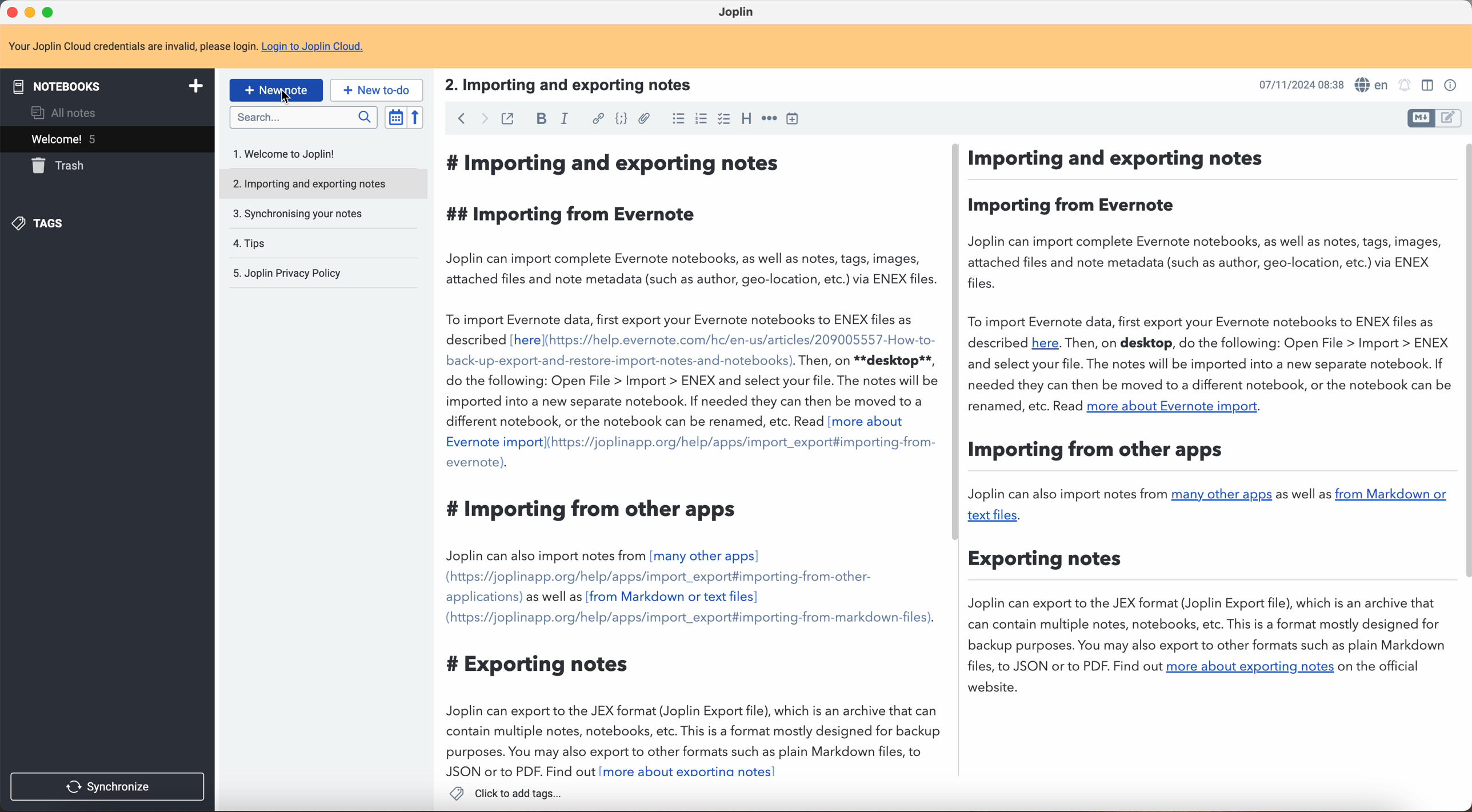  I want to click on trash, so click(61, 166).